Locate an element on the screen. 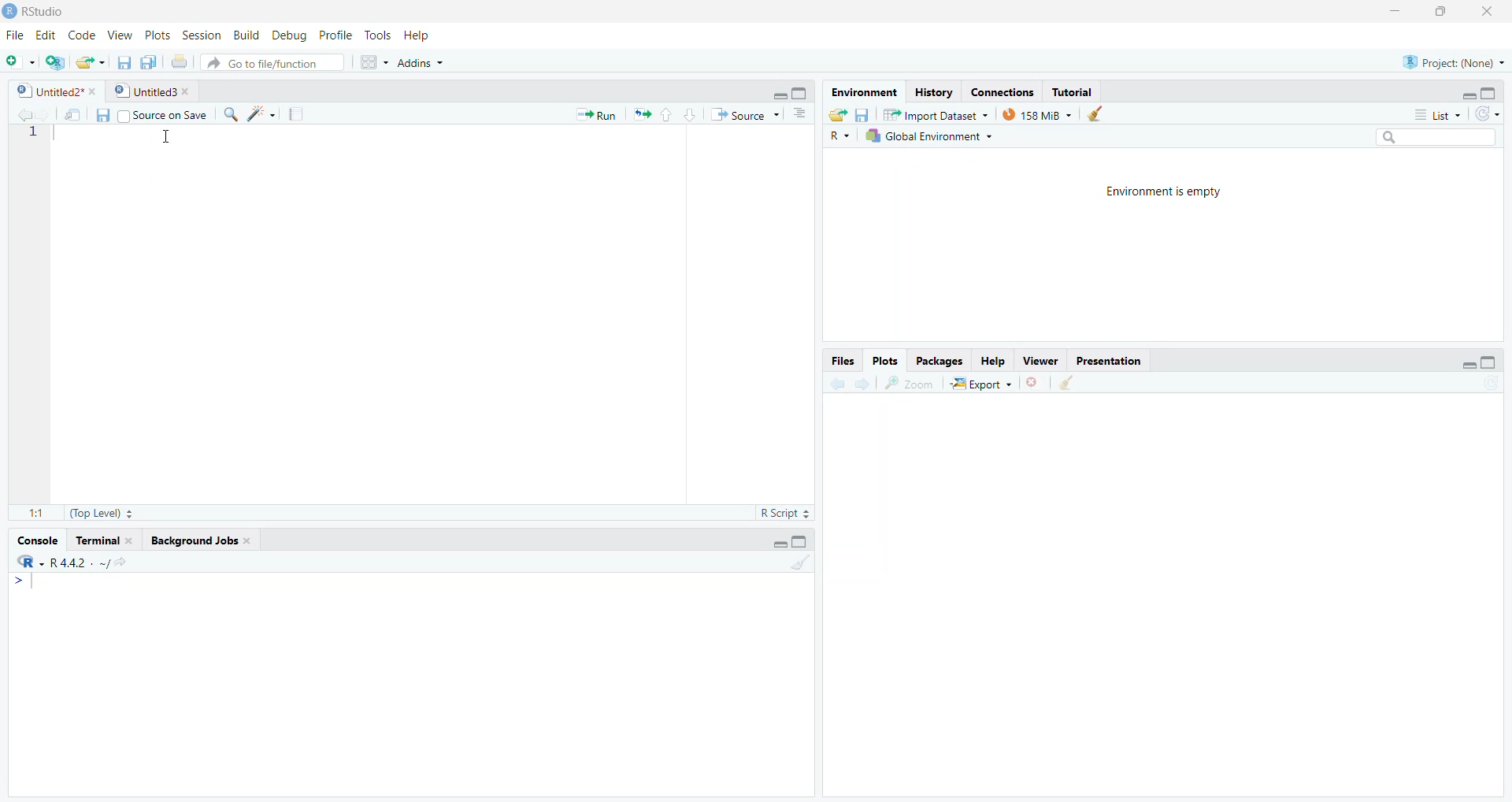  List  is located at coordinates (1432, 113).